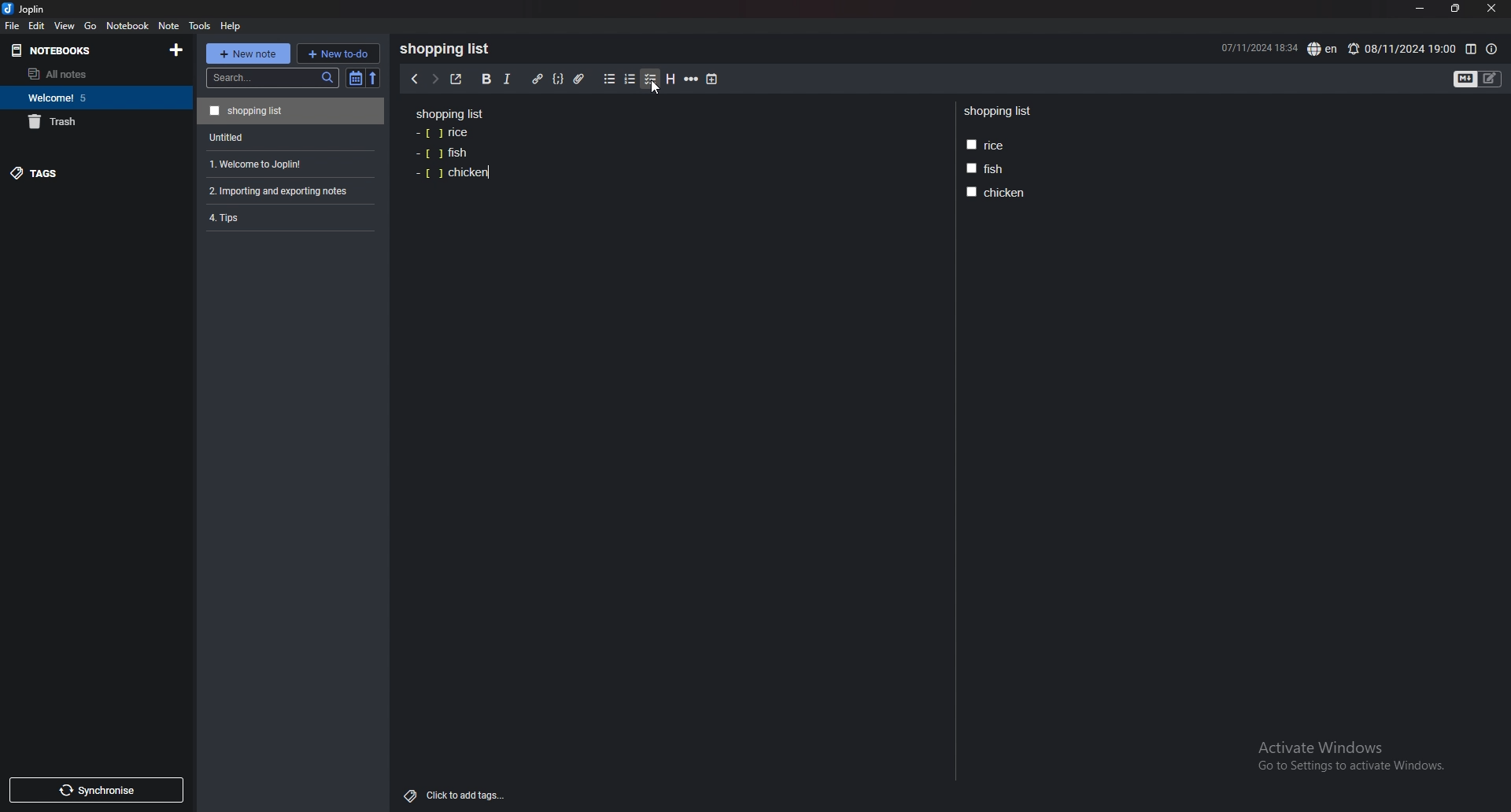 Image resolution: width=1511 pixels, height=812 pixels. What do you see at coordinates (999, 112) in the screenshot?
I see `Shopping list` at bounding box center [999, 112].